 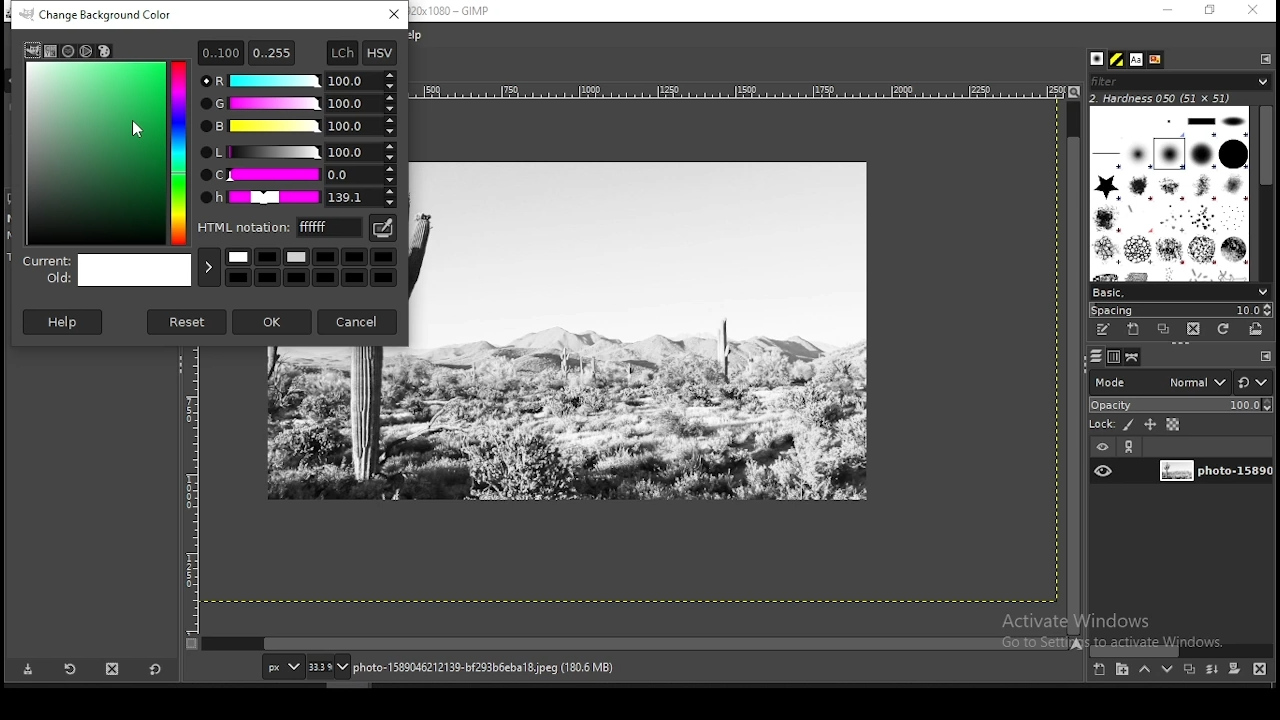 I want to click on layer visibility on/off, so click(x=1103, y=472).